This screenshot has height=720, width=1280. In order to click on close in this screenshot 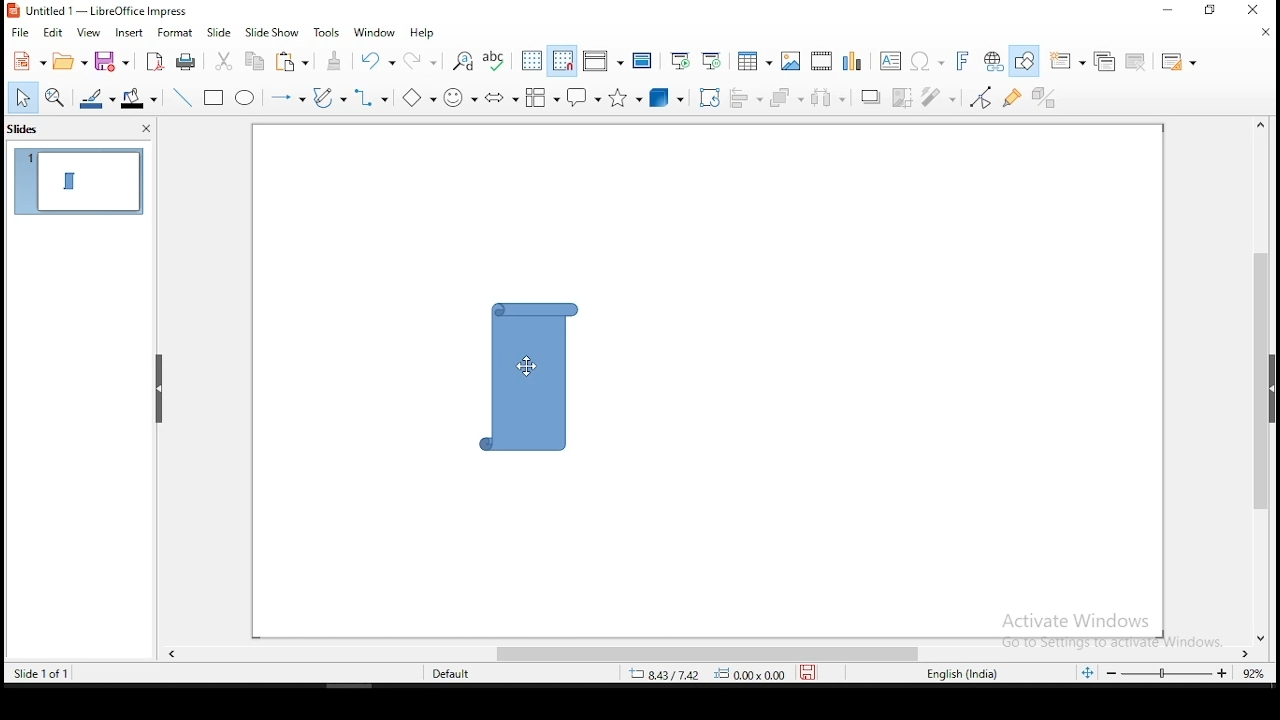, I will do `click(1262, 34)`.